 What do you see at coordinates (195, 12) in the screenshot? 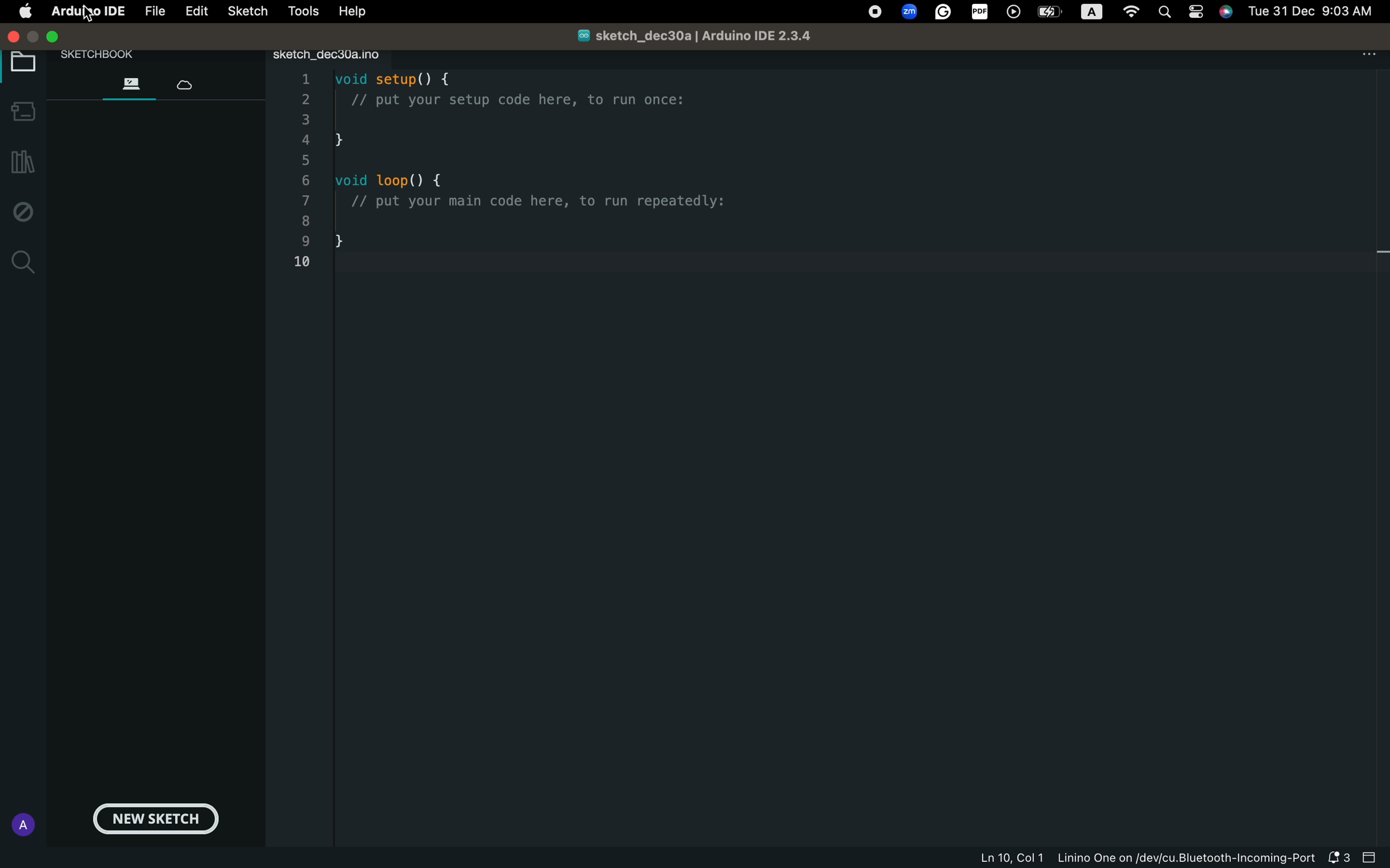
I see `edit` at bounding box center [195, 12].